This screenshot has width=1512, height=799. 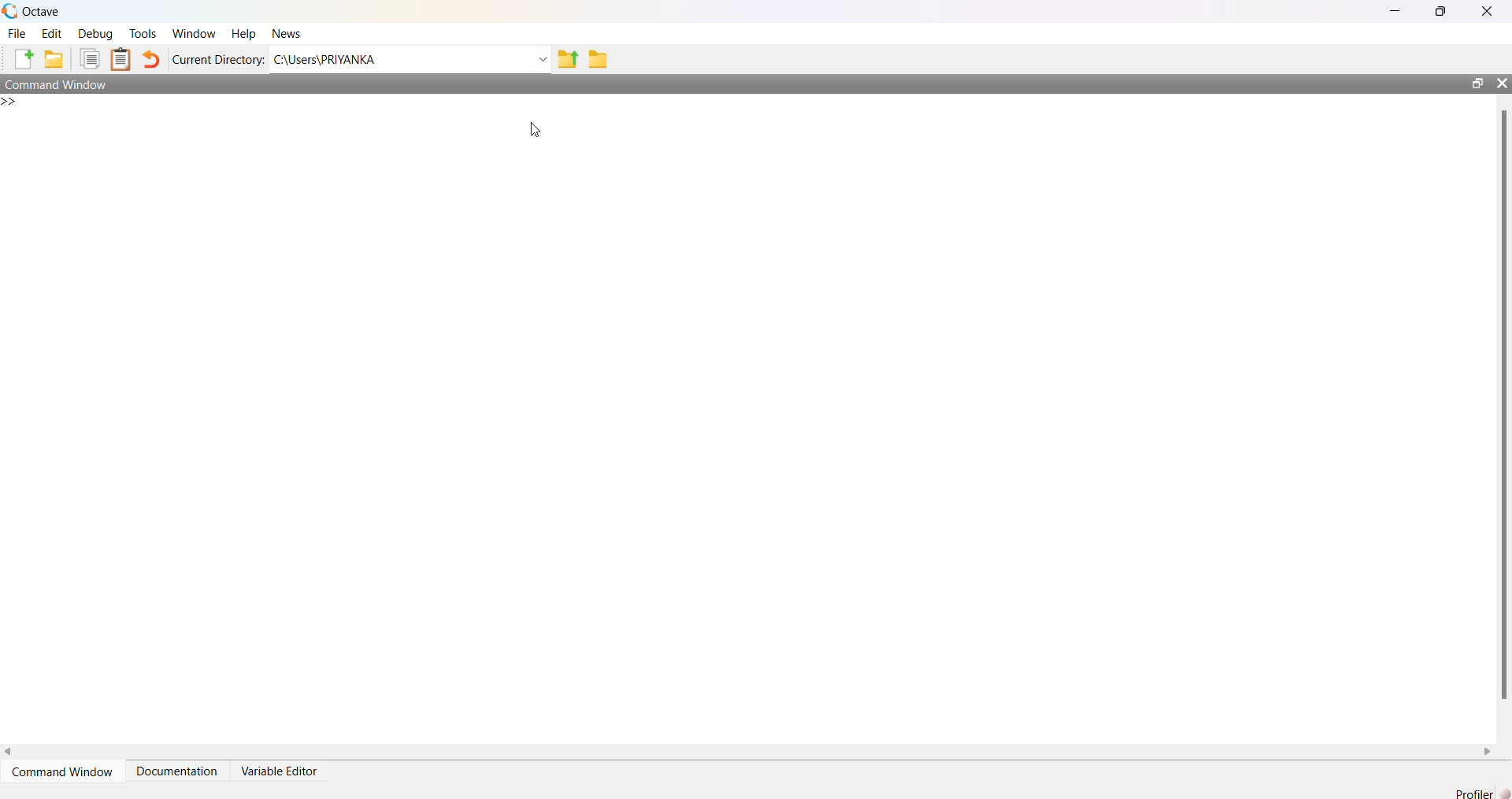 What do you see at coordinates (1467, 792) in the screenshot?
I see `Drafile` at bounding box center [1467, 792].